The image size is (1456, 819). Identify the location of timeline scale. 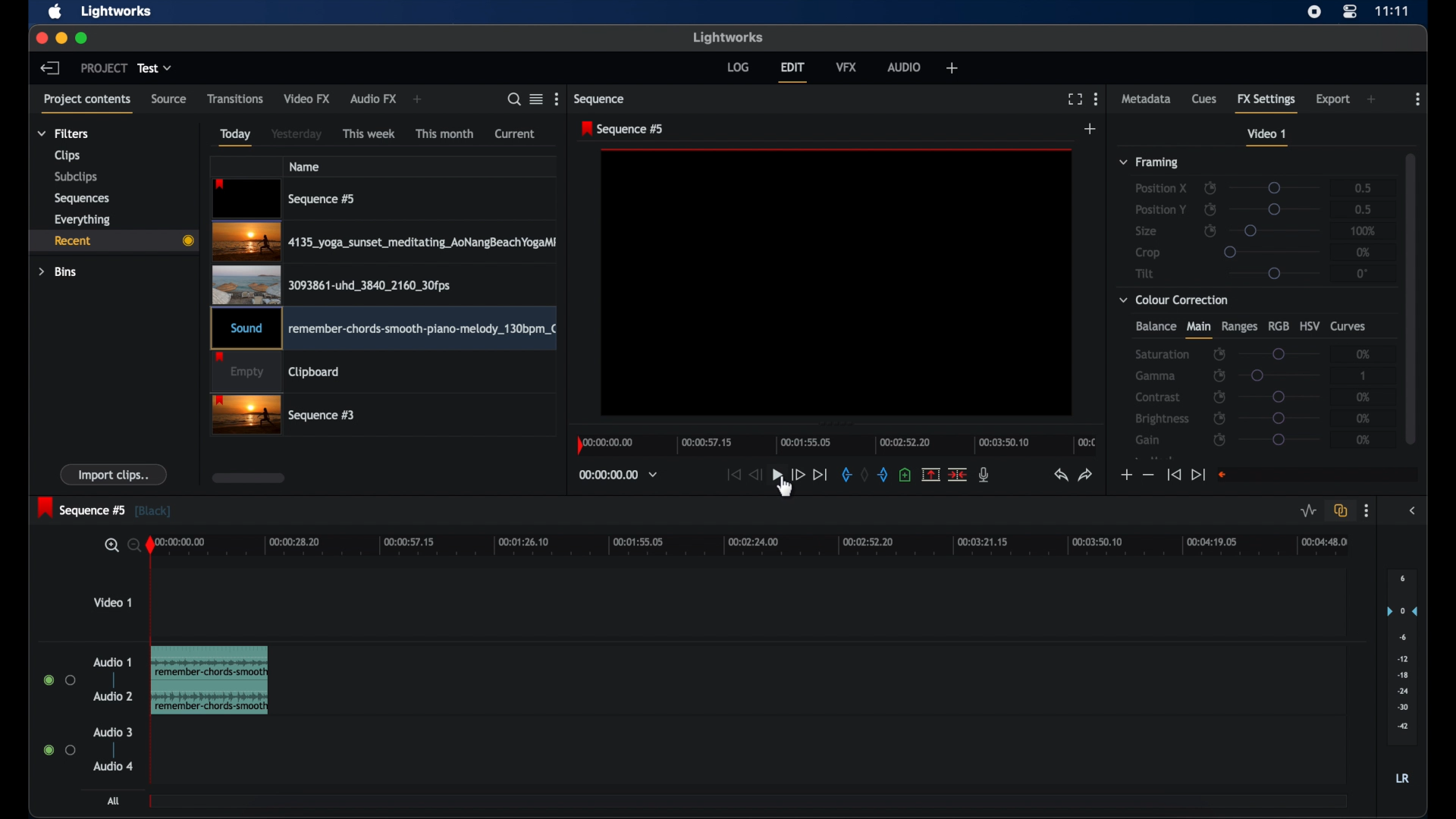
(761, 547).